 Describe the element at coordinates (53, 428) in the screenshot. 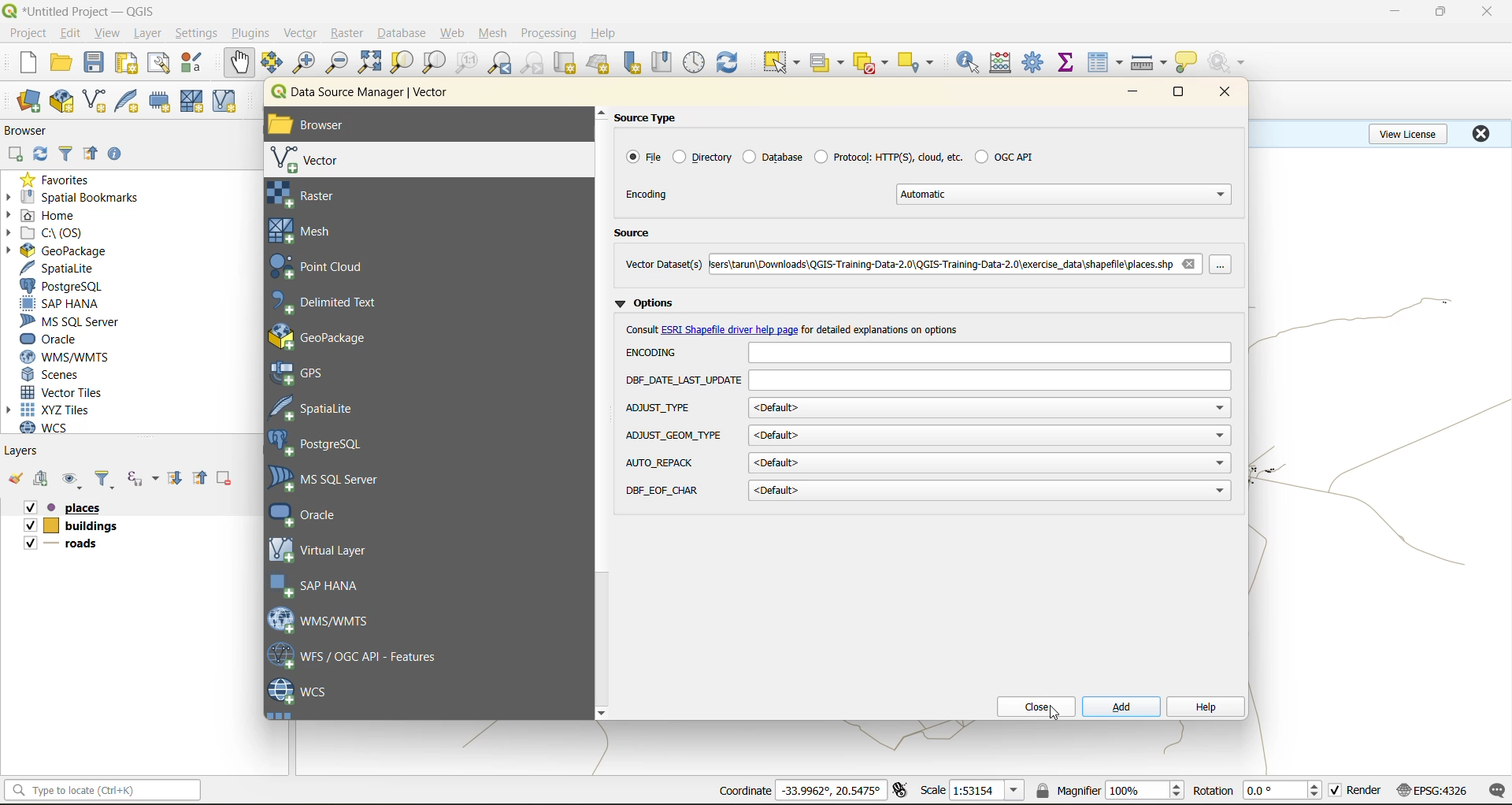

I see `wcs` at that location.